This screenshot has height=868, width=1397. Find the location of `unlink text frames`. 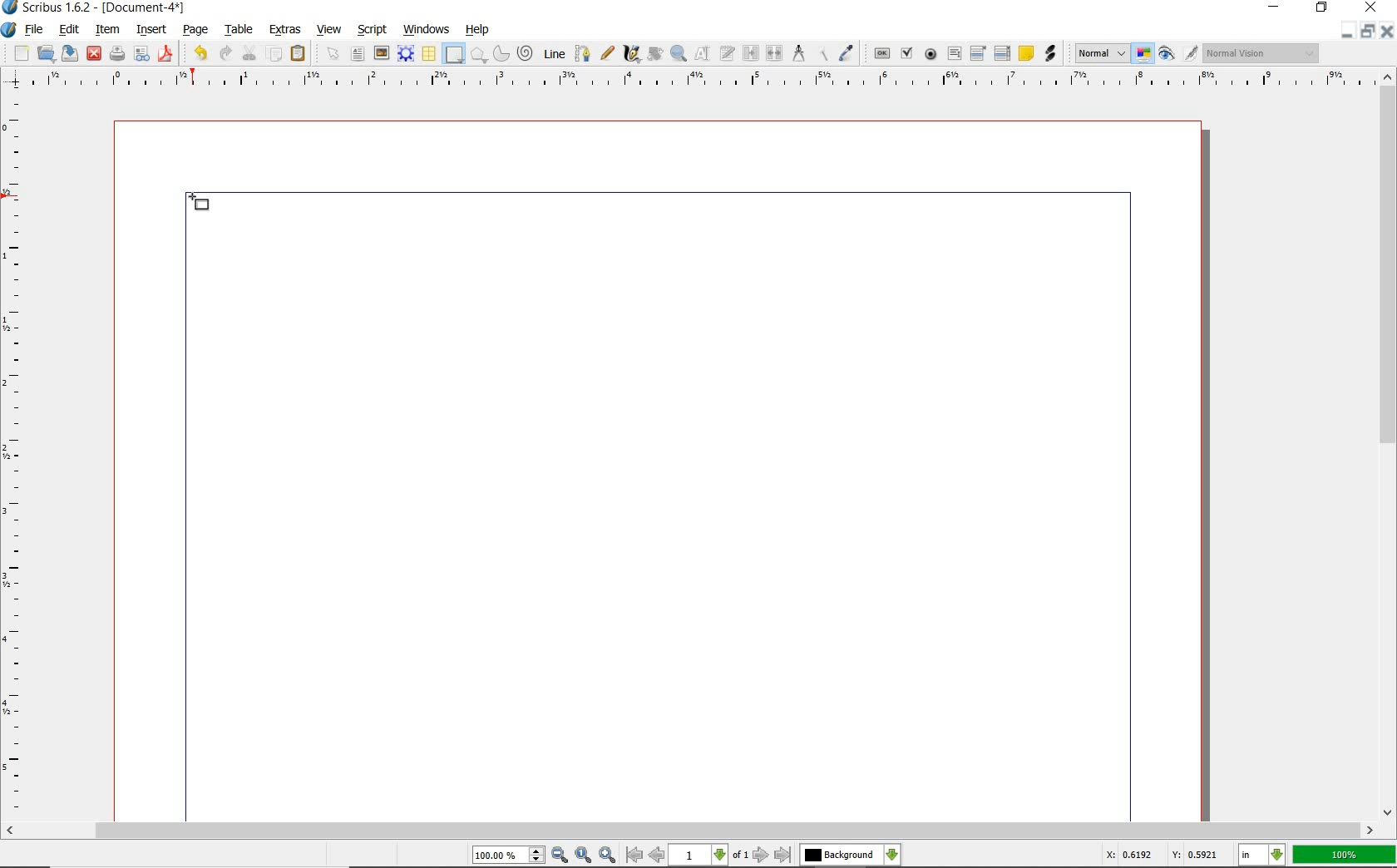

unlink text frames is located at coordinates (773, 52).